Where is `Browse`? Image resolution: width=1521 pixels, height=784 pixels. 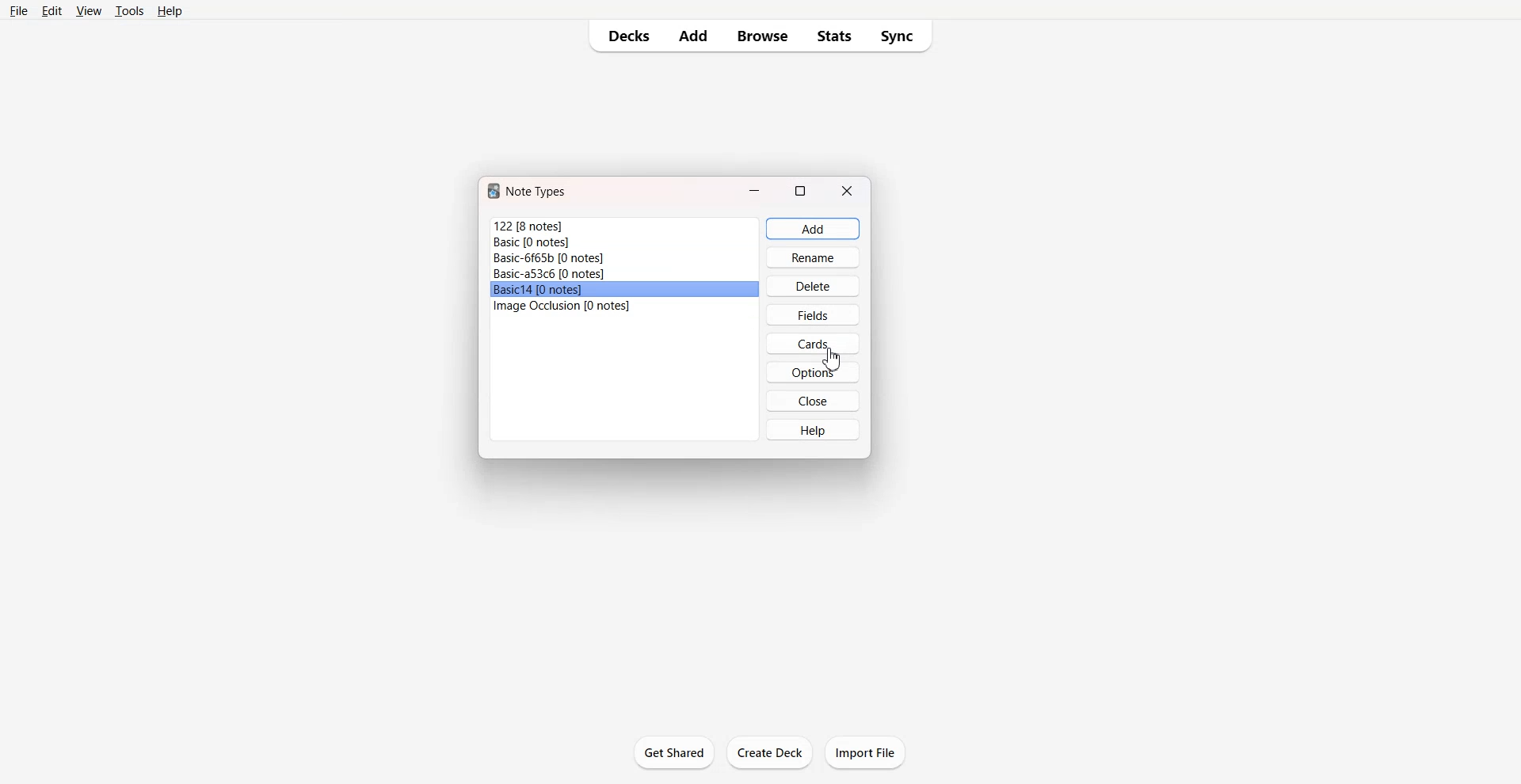 Browse is located at coordinates (763, 36).